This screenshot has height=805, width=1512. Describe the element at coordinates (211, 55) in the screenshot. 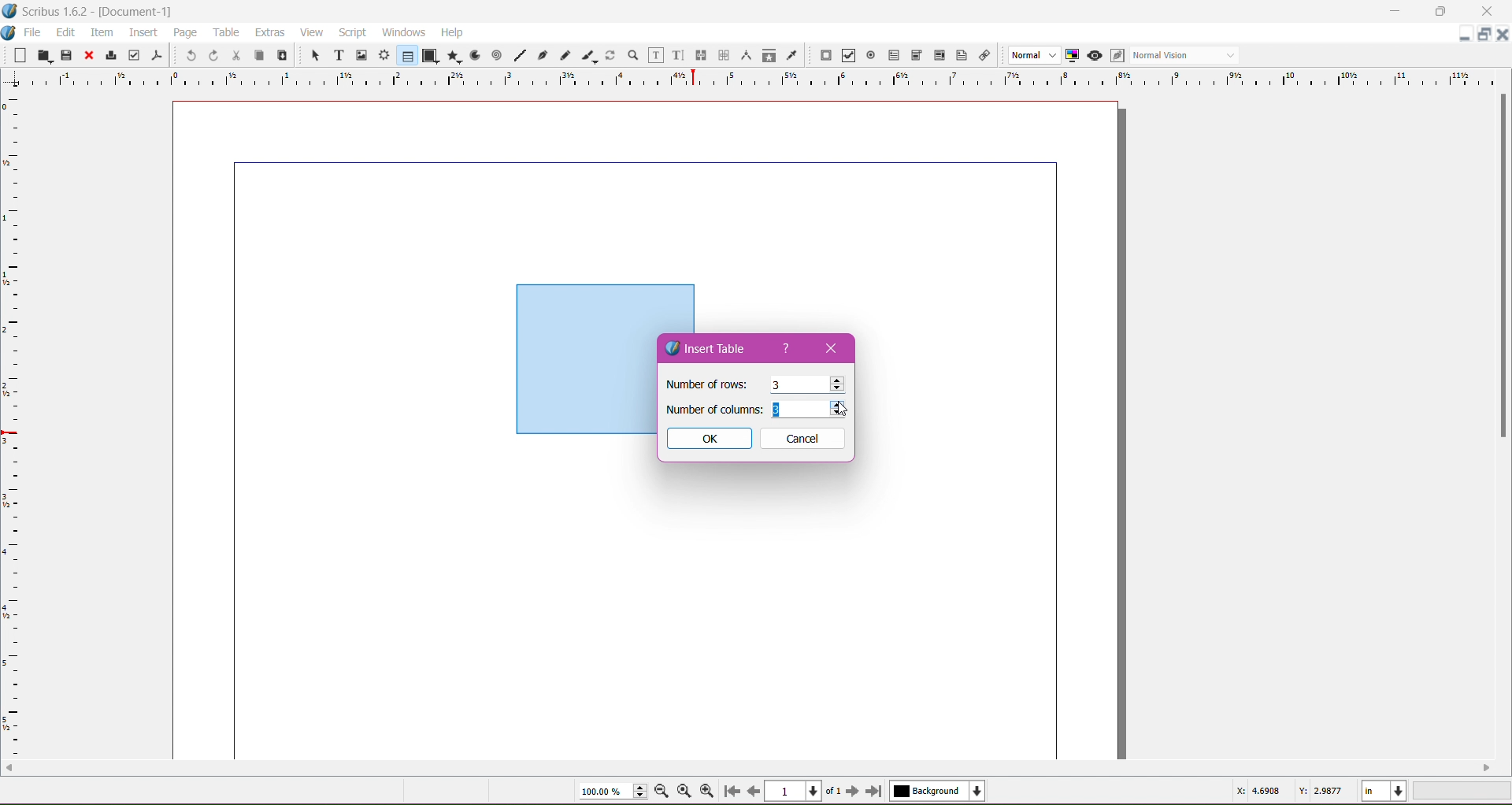

I see `Redo` at that location.